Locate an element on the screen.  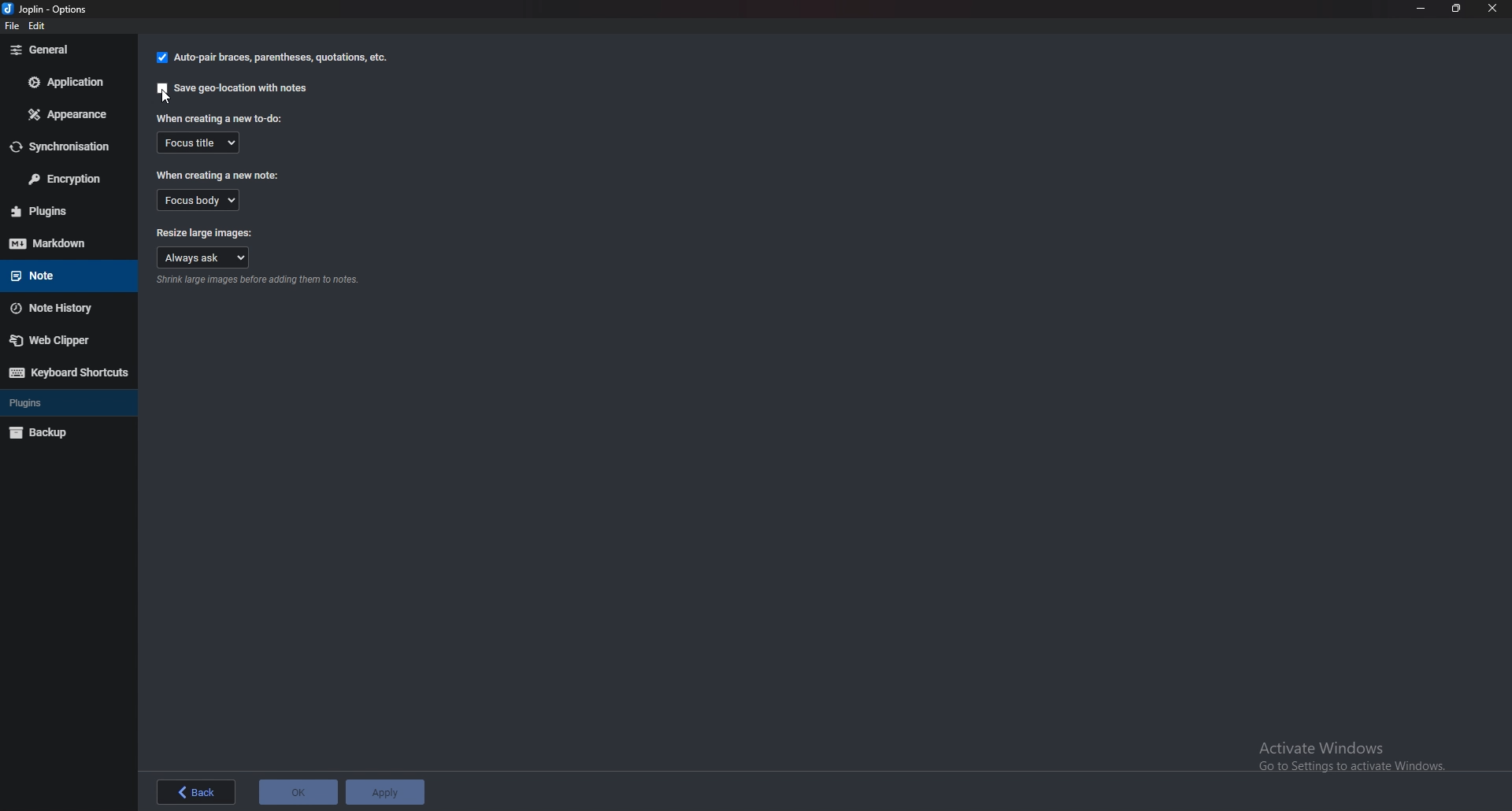
Plugins is located at coordinates (62, 402).